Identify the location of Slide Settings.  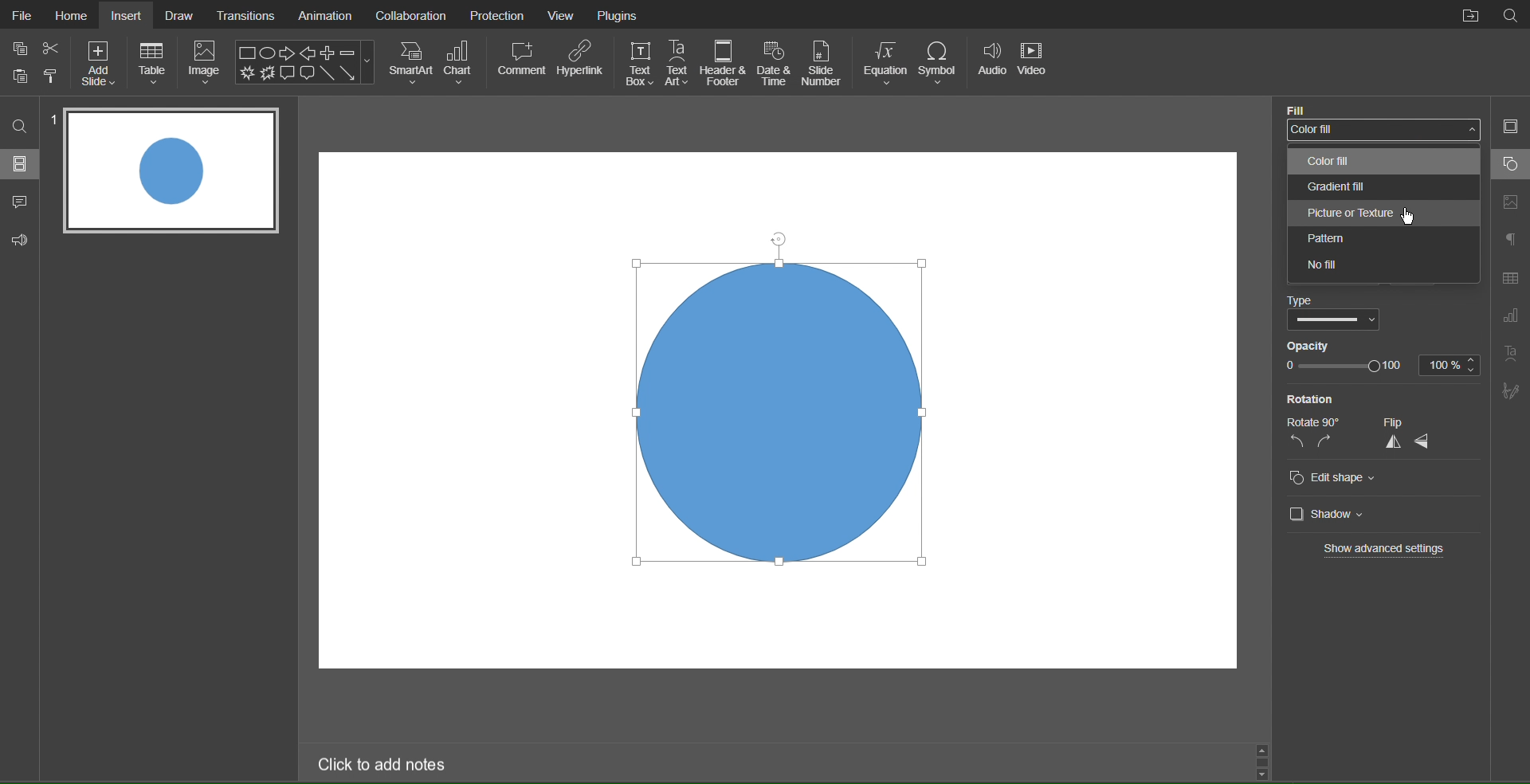
(1509, 129).